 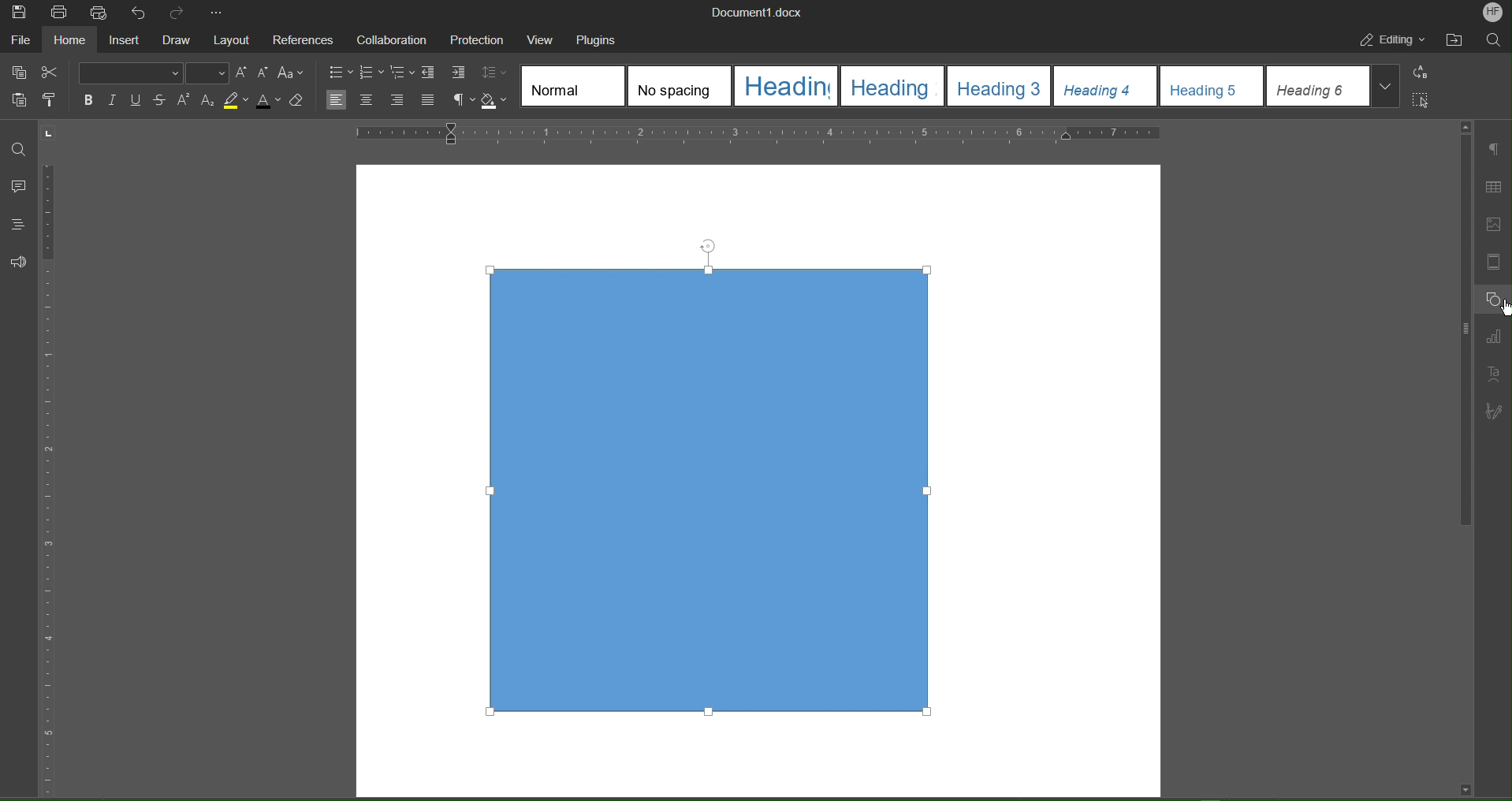 What do you see at coordinates (373, 73) in the screenshot?
I see `Number List` at bounding box center [373, 73].